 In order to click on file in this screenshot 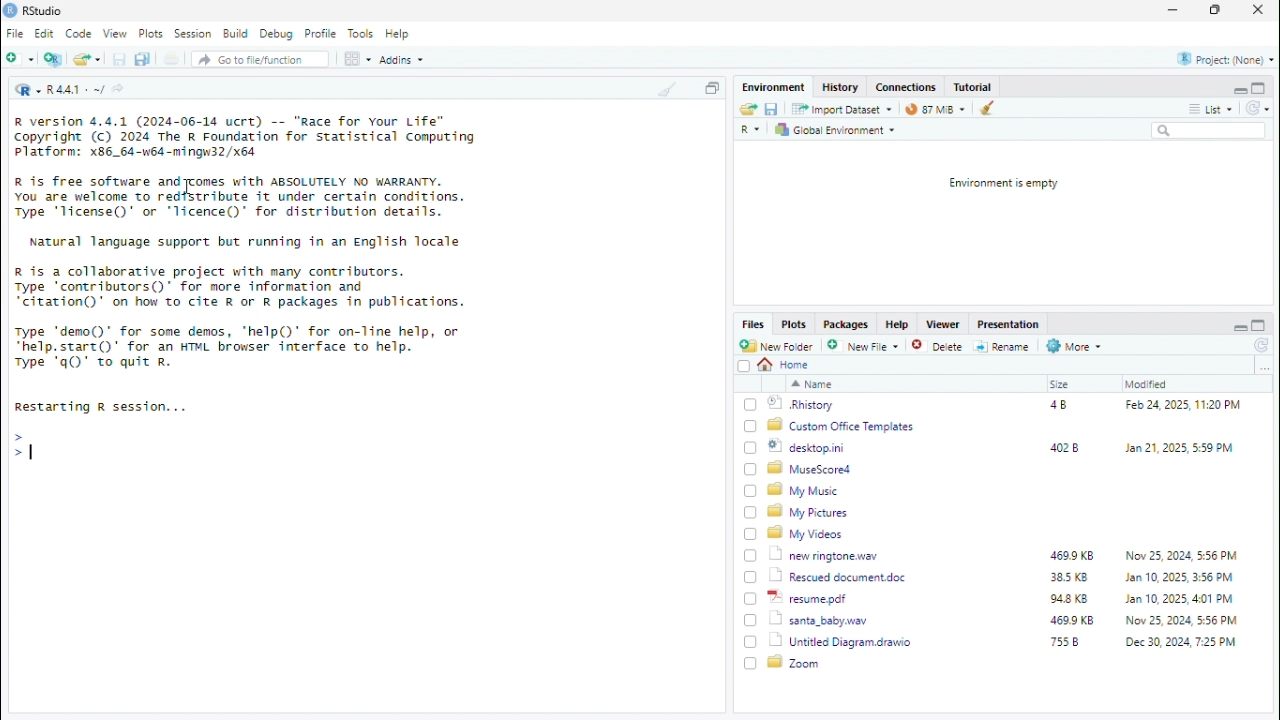, I will do `click(171, 58)`.